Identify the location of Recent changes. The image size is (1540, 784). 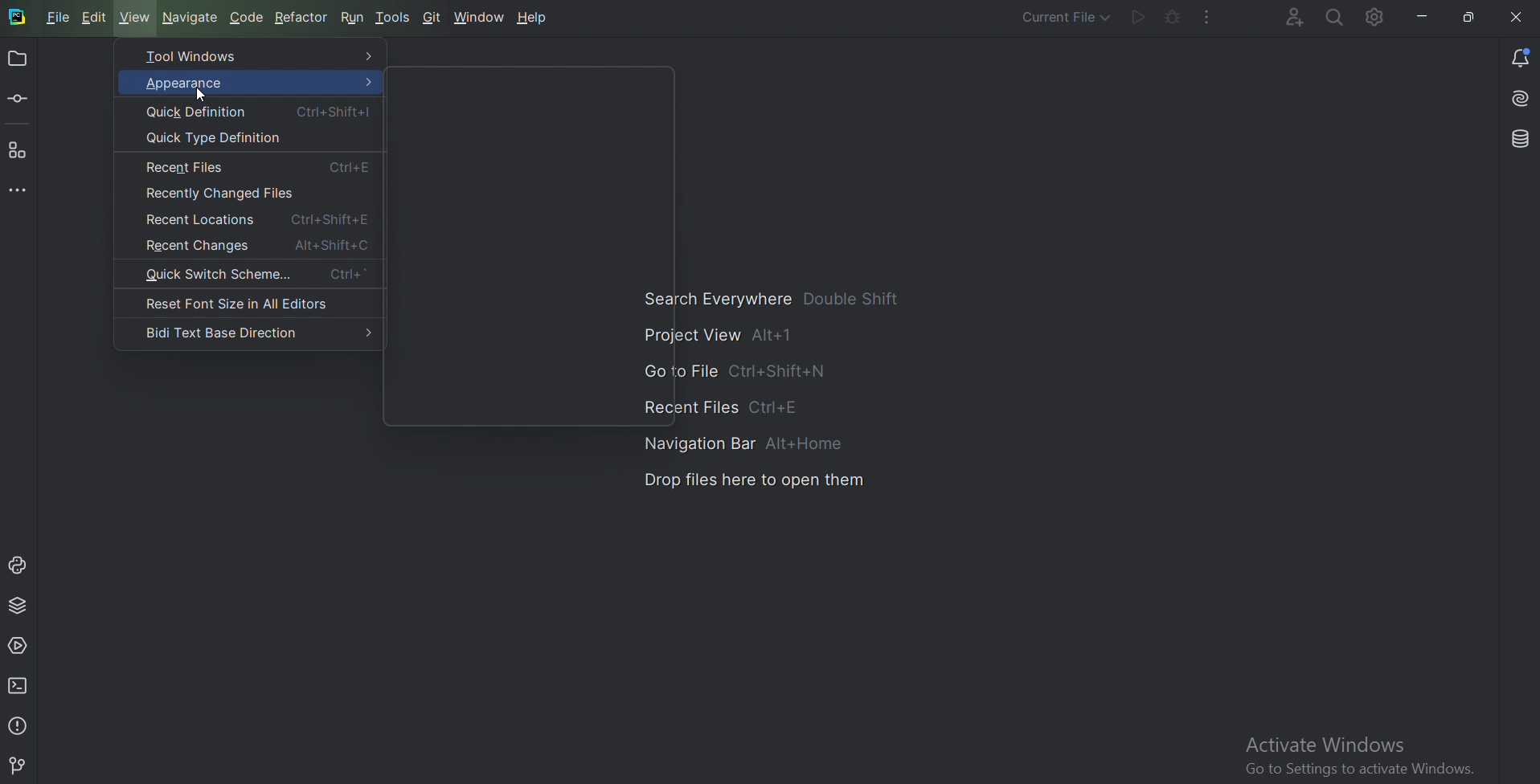
(256, 244).